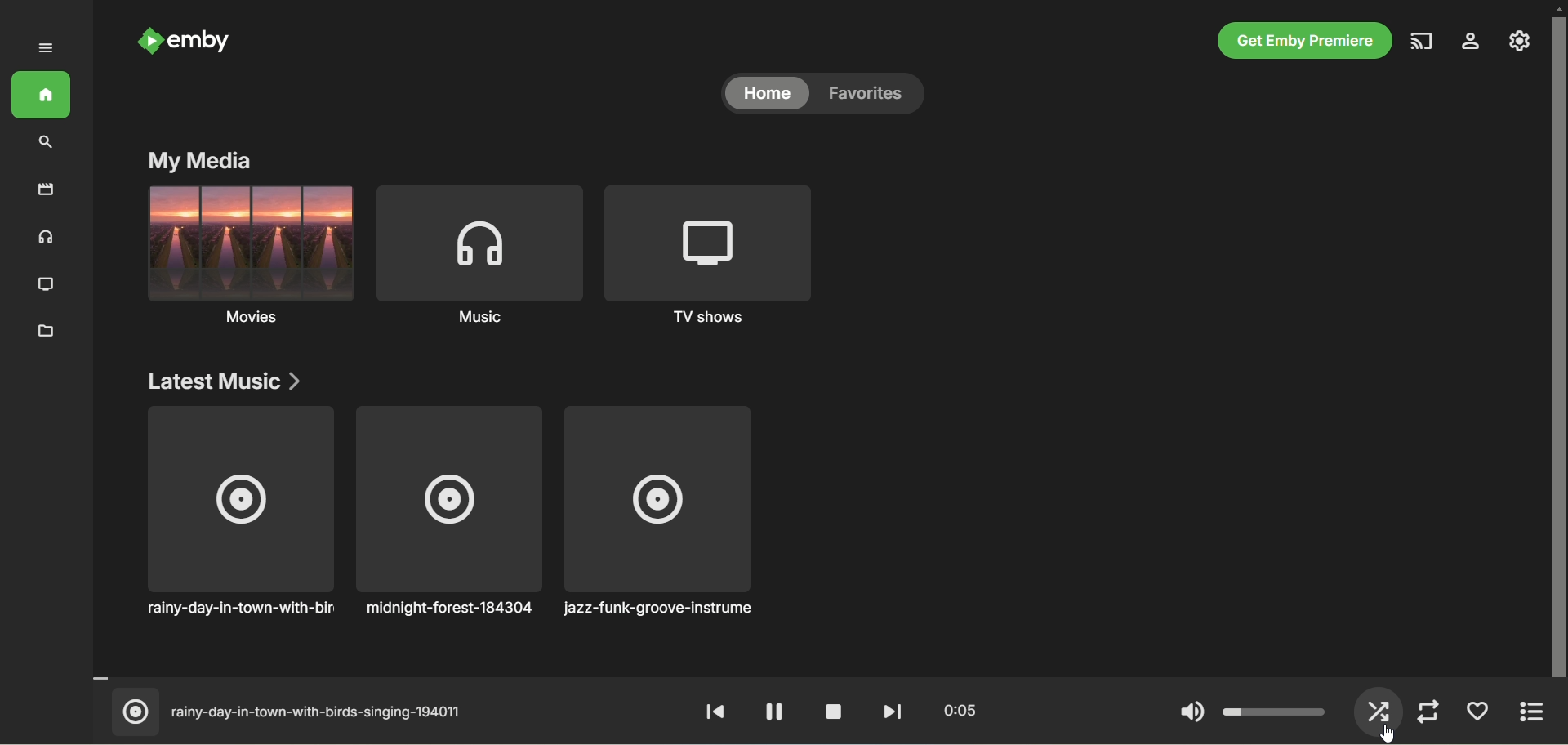 The height and width of the screenshot is (745, 1568). What do you see at coordinates (40, 193) in the screenshot?
I see `movies` at bounding box center [40, 193].